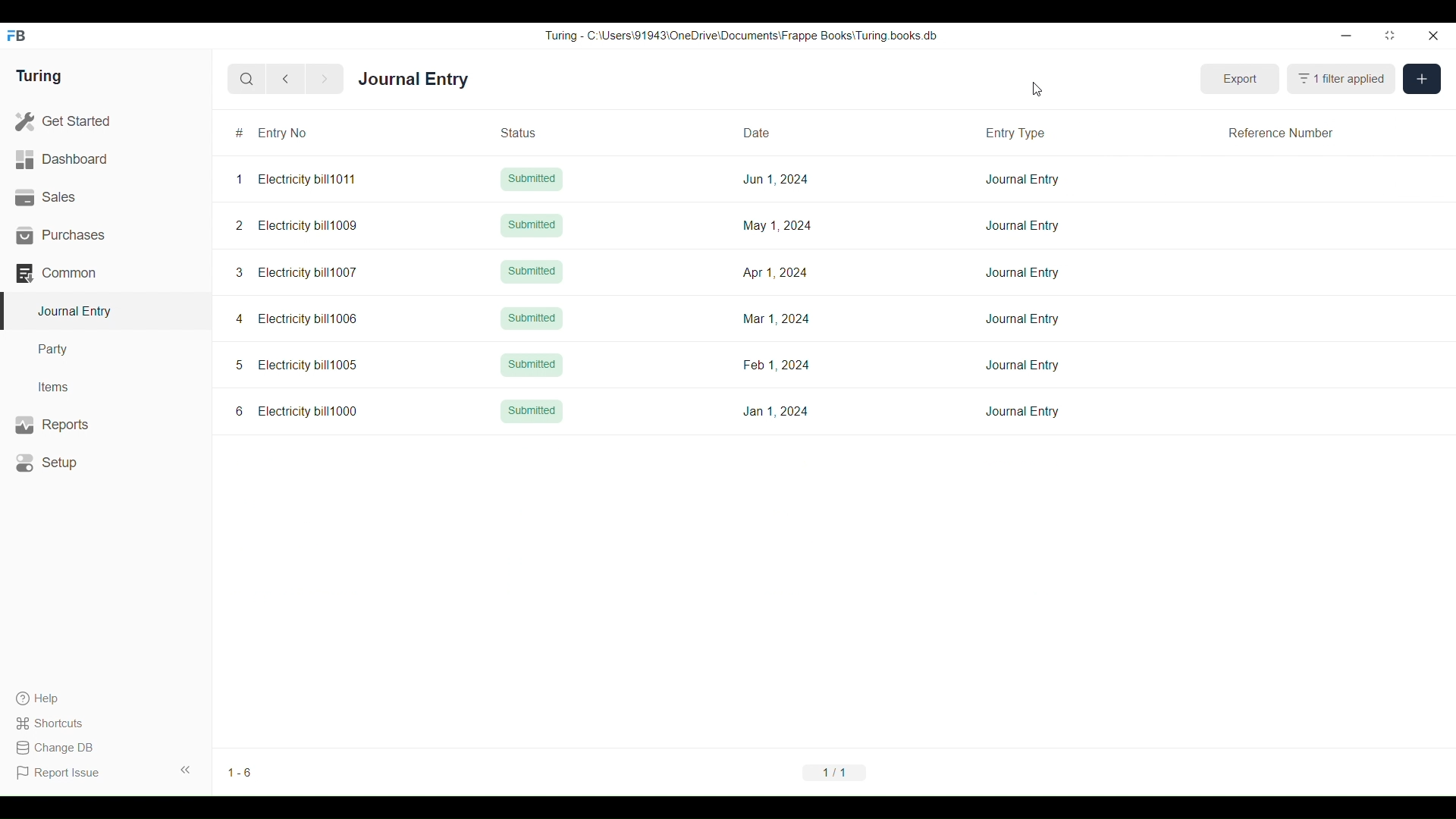 The image size is (1456, 819). Describe the element at coordinates (58, 748) in the screenshot. I see `Change DB` at that location.